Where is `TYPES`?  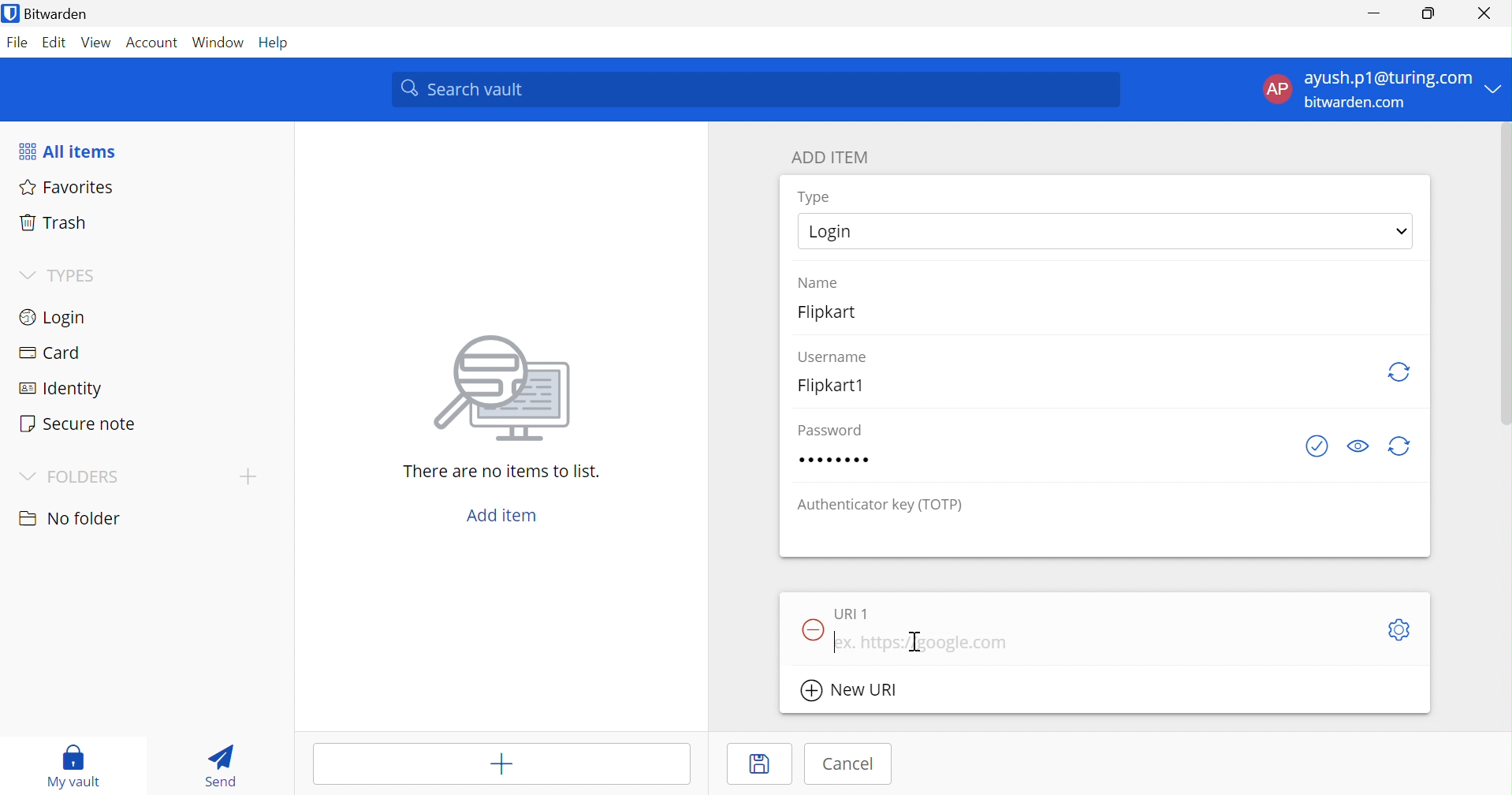
TYPES is located at coordinates (75, 275).